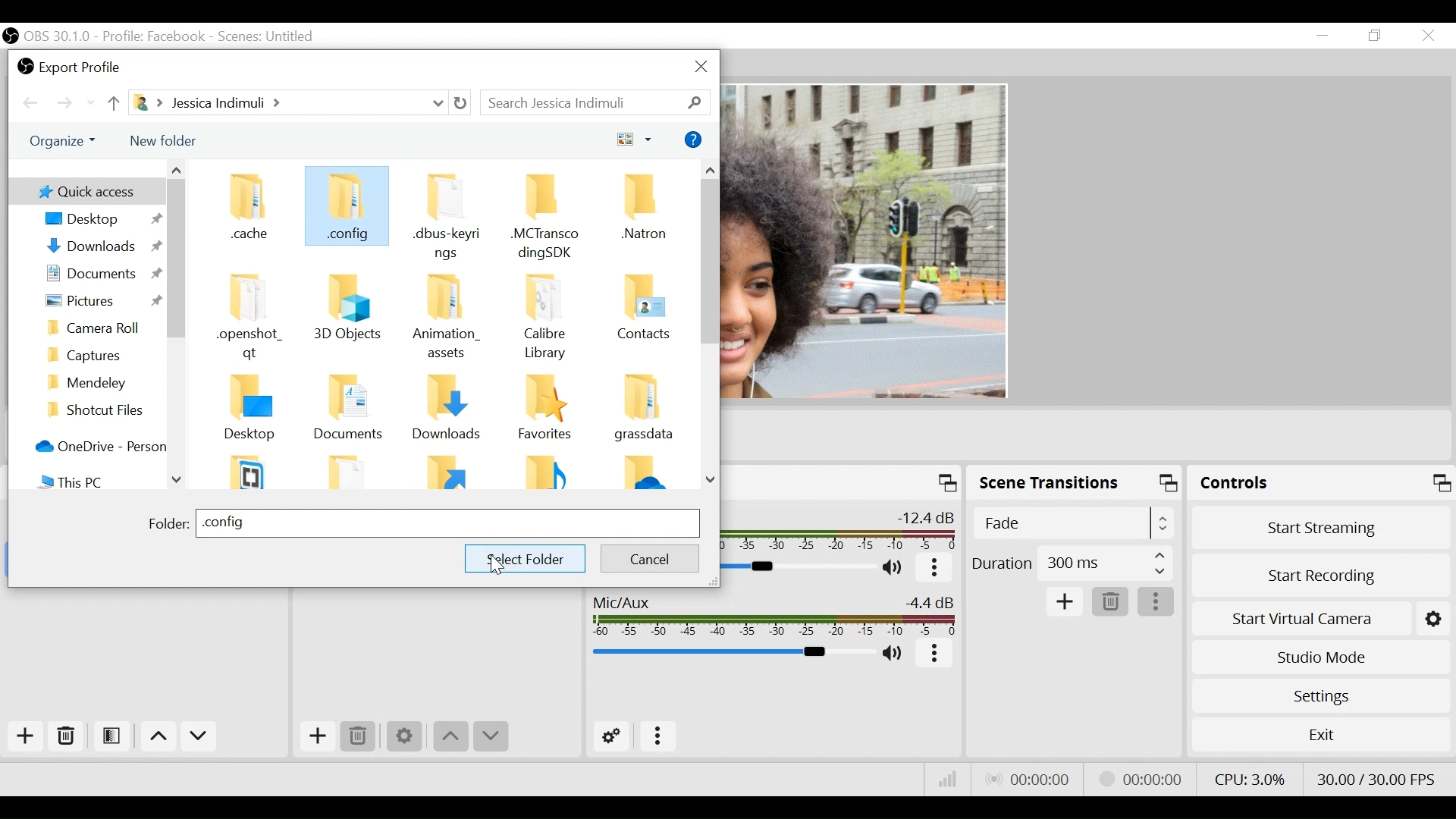  What do you see at coordinates (317, 737) in the screenshot?
I see `Add` at bounding box center [317, 737].